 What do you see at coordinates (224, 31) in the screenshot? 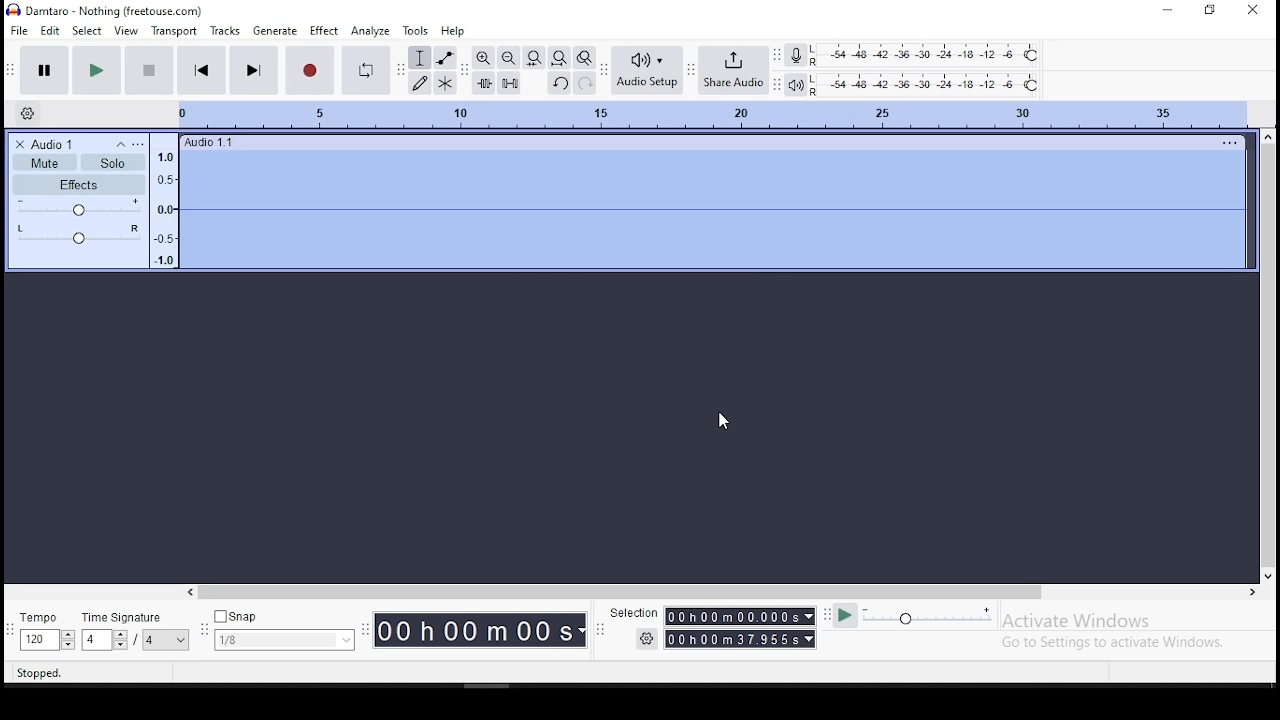
I see `tracks` at bounding box center [224, 31].